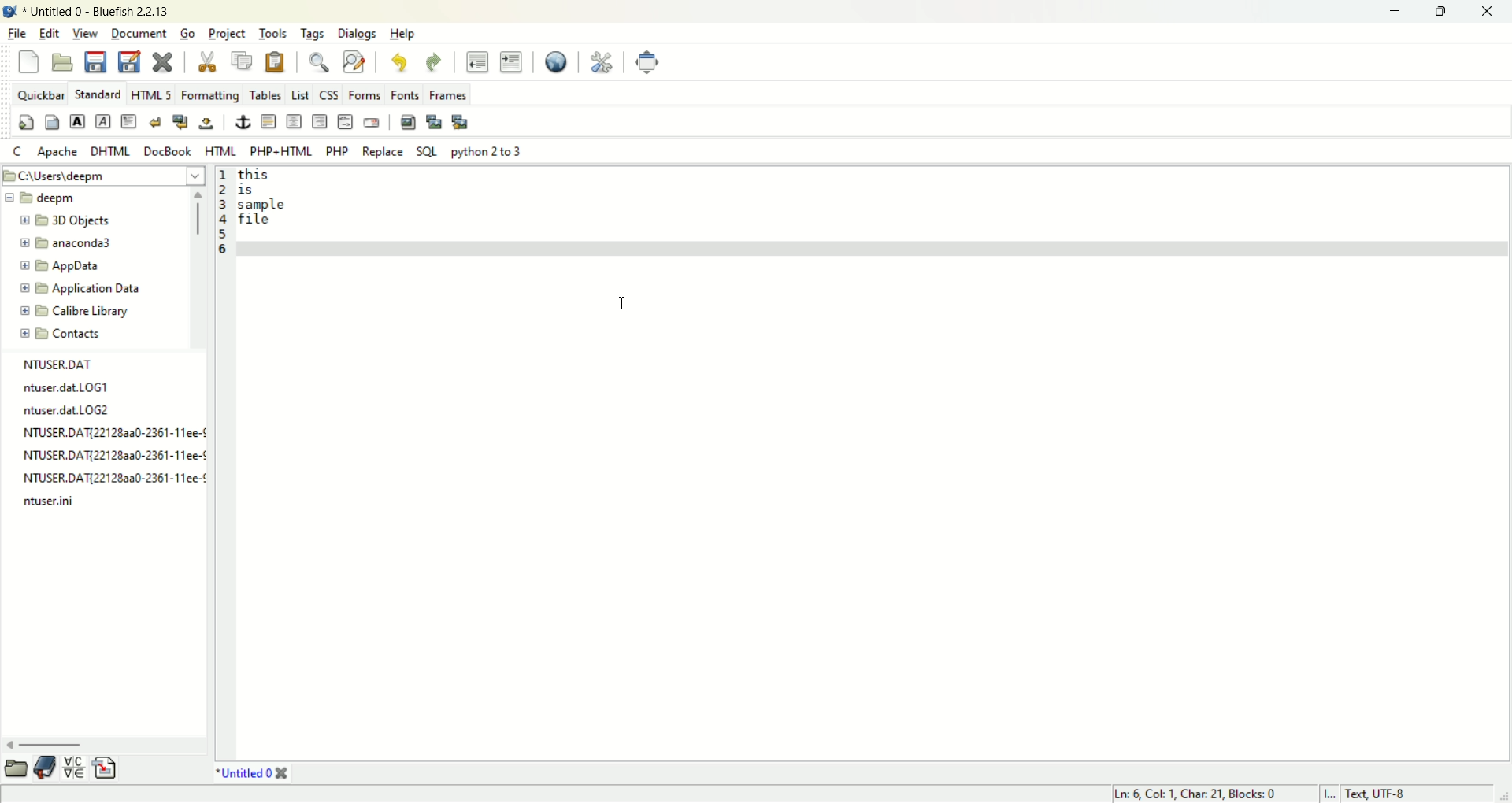  What do you see at coordinates (99, 94) in the screenshot?
I see `STANDARD` at bounding box center [99, 94].